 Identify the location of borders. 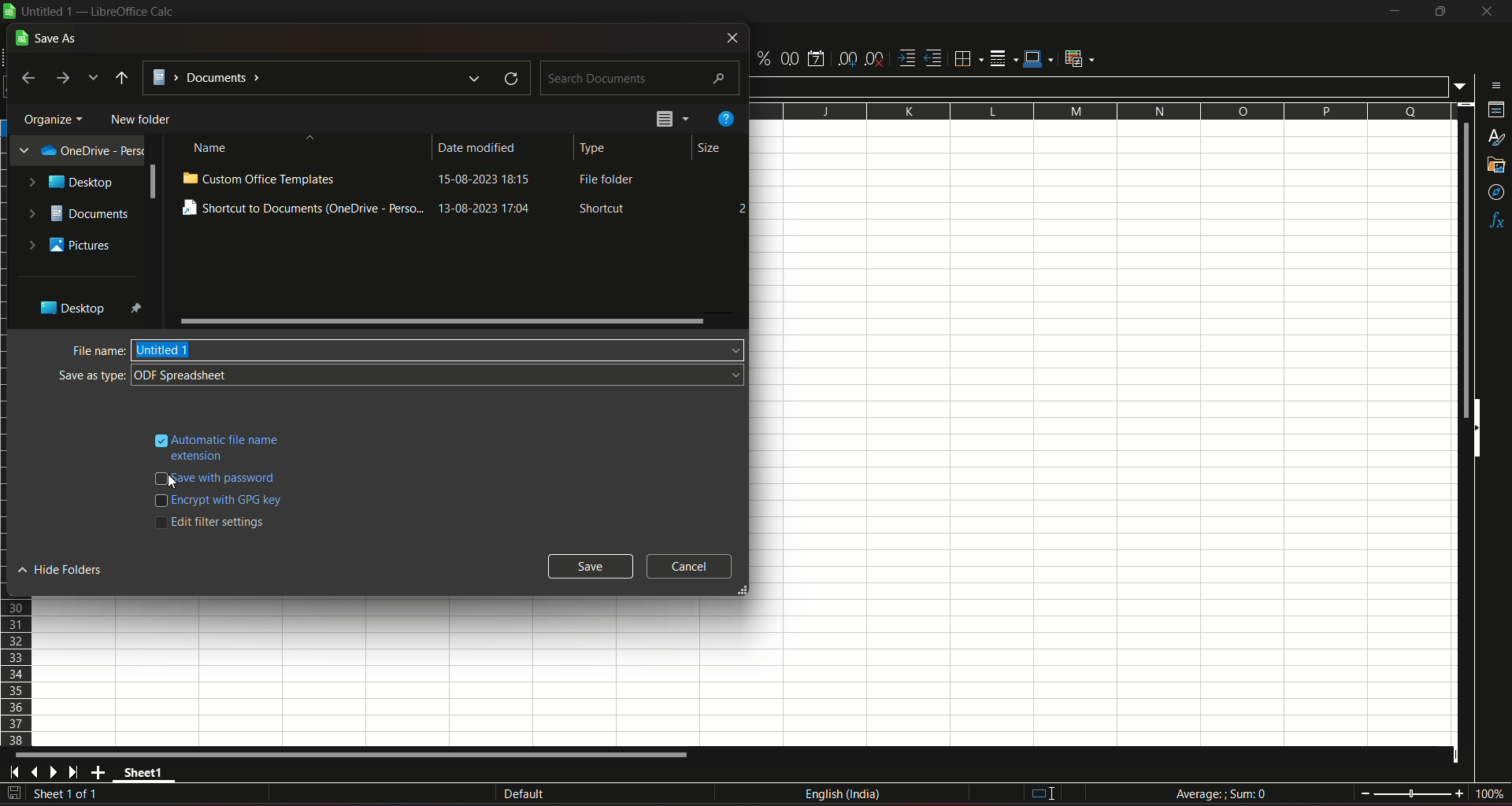
(968, 59).